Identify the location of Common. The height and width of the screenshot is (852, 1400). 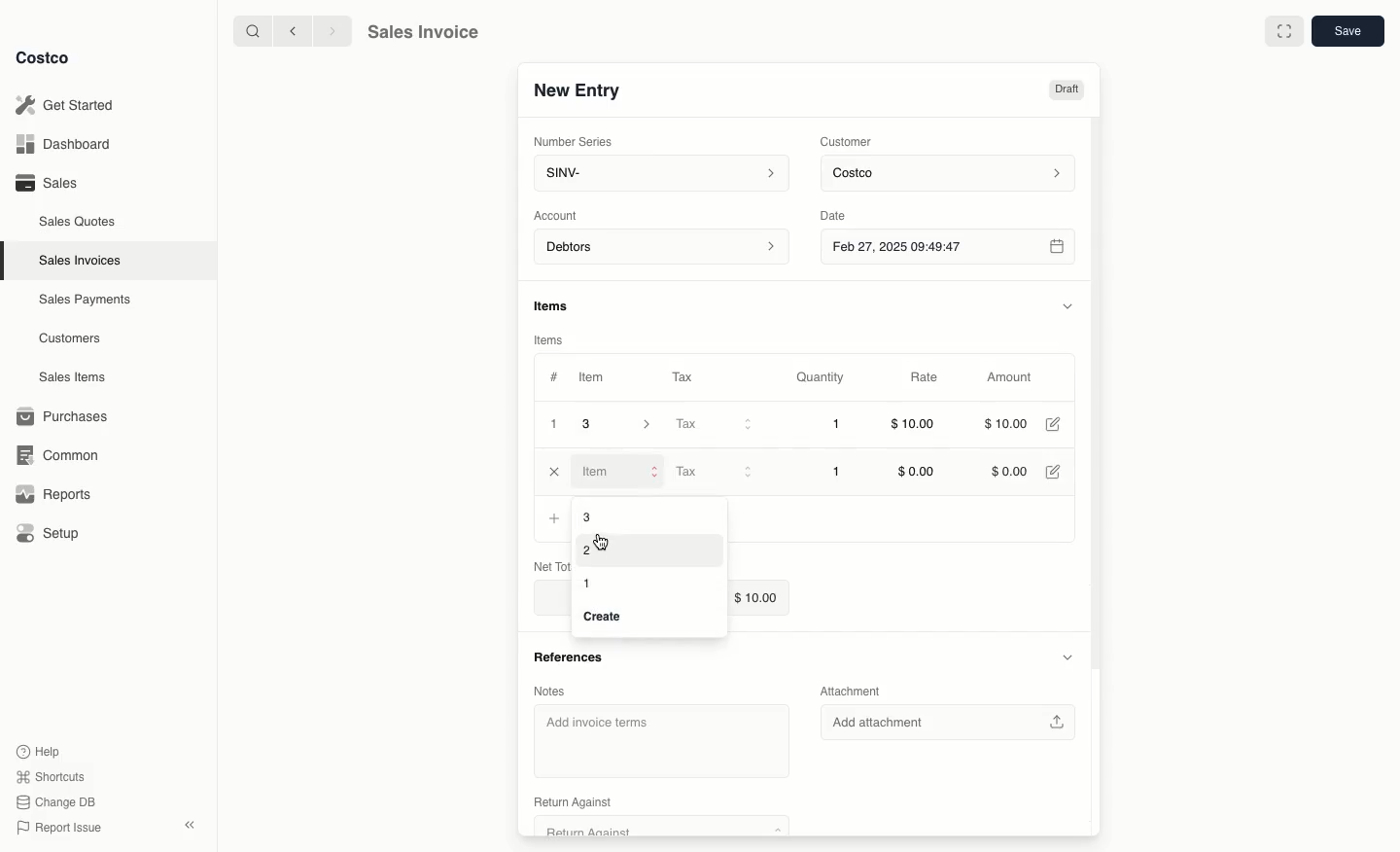
(53, 453).